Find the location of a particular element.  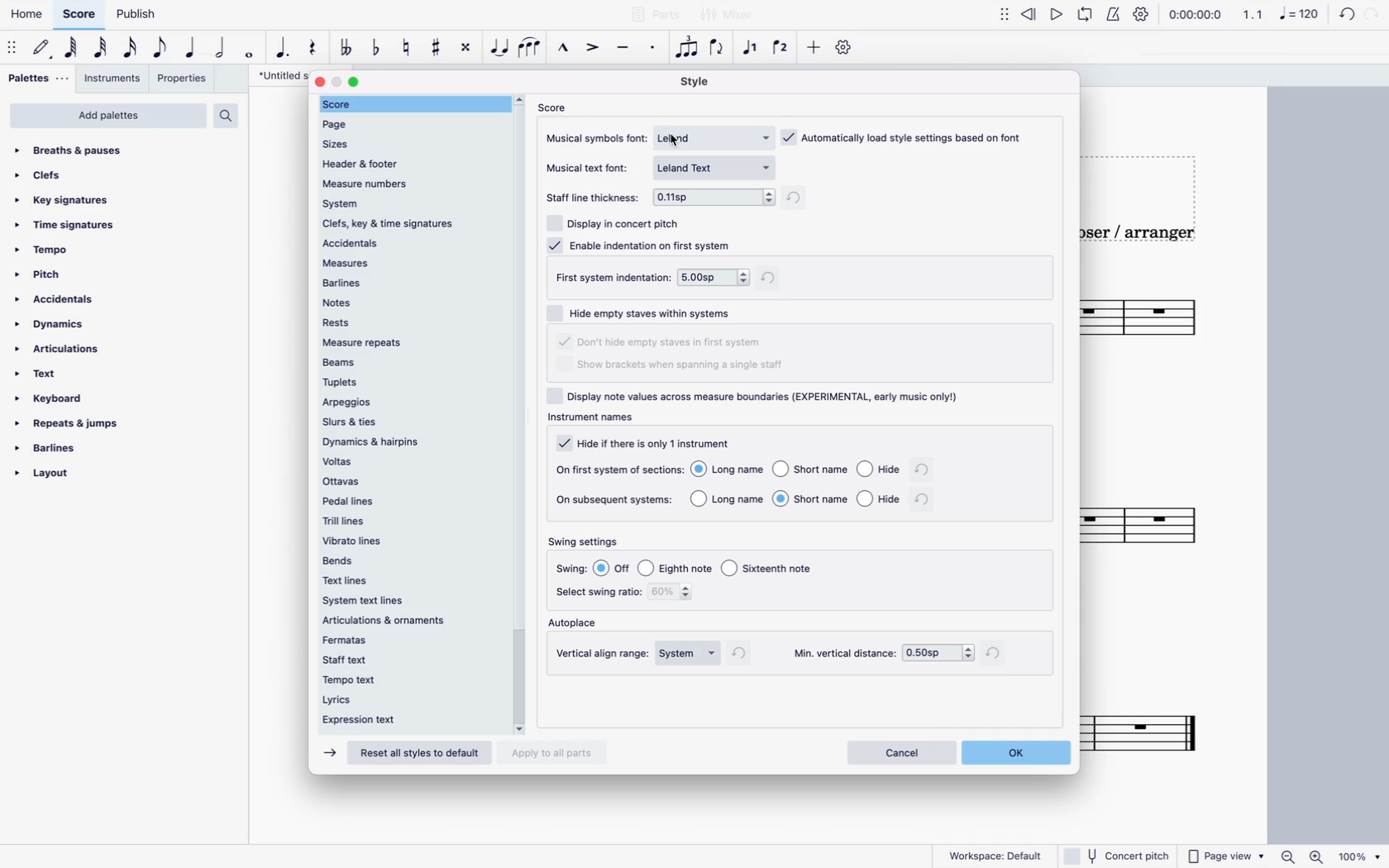

ottavas is located at coordinates (412, 482).